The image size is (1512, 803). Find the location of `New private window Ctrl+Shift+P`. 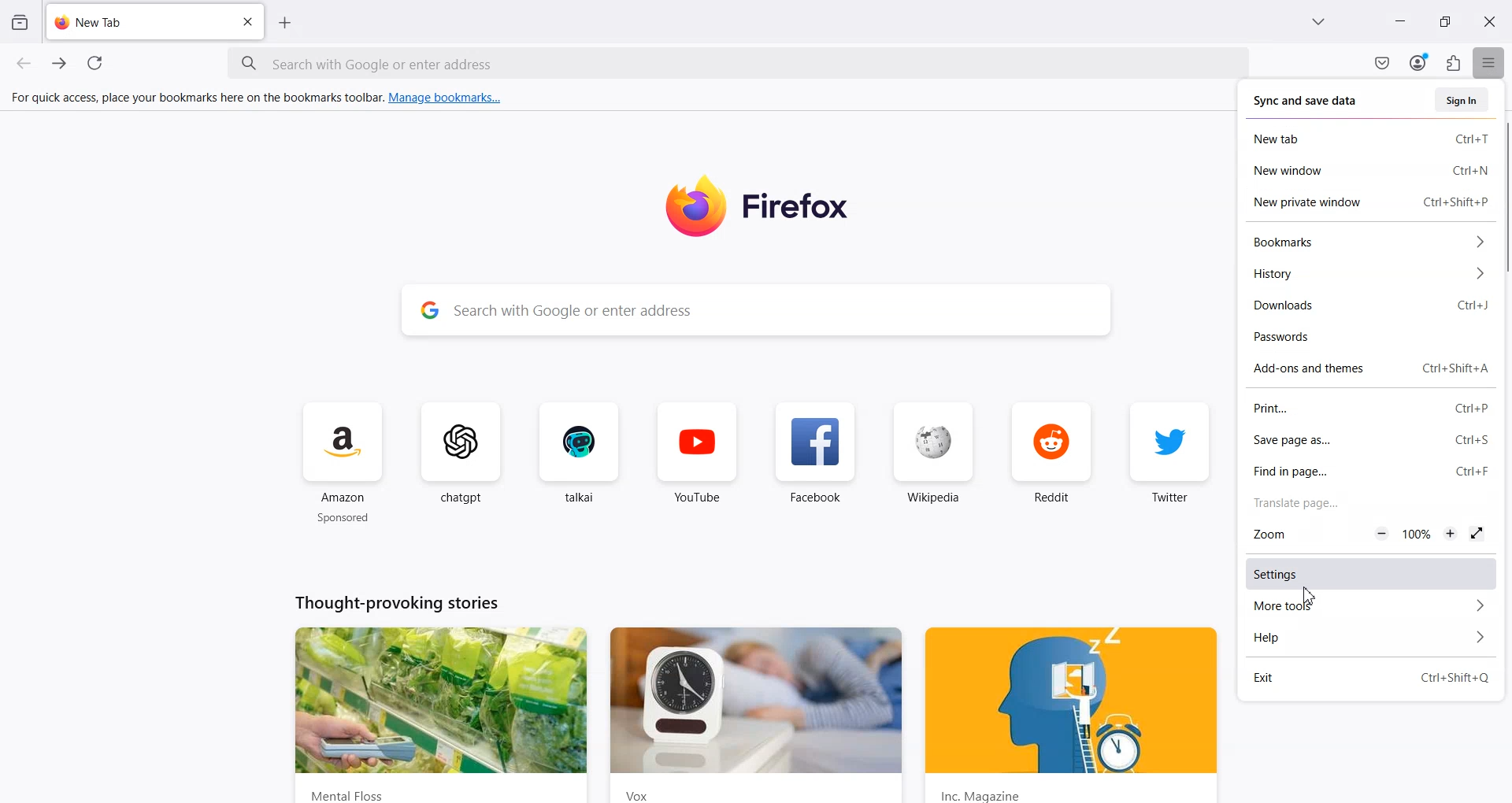

New private window Ctrl+Shift+P is located at coordinates (1369, 200).